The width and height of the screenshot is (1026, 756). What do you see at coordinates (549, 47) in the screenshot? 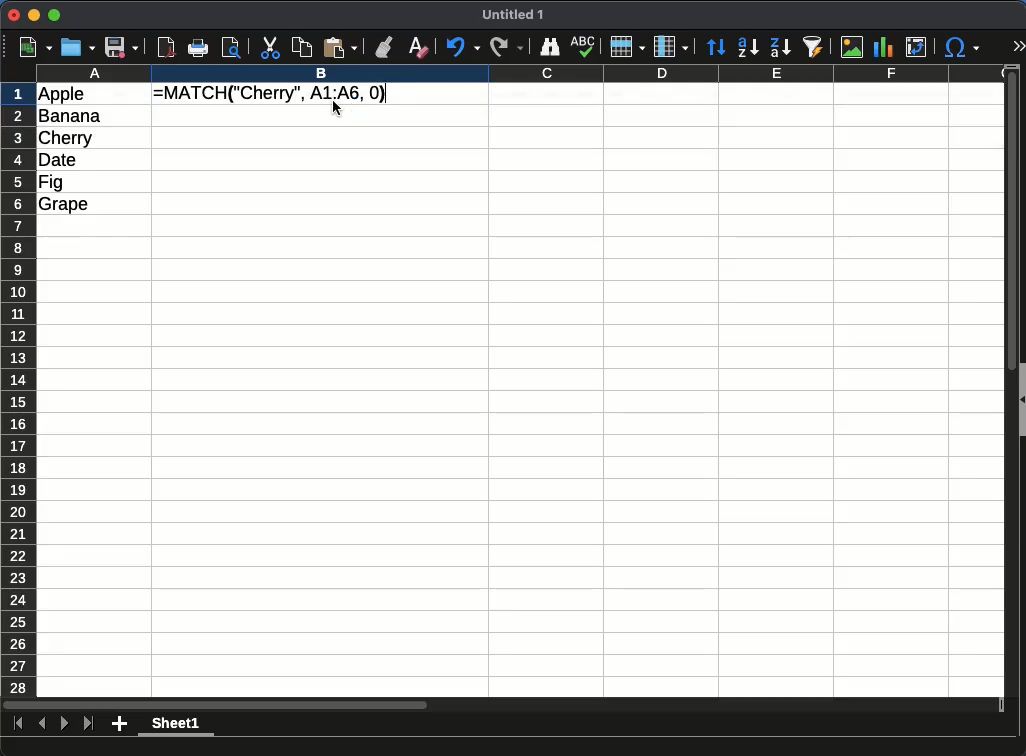
I see `finder` at bounding box center [549, 47].